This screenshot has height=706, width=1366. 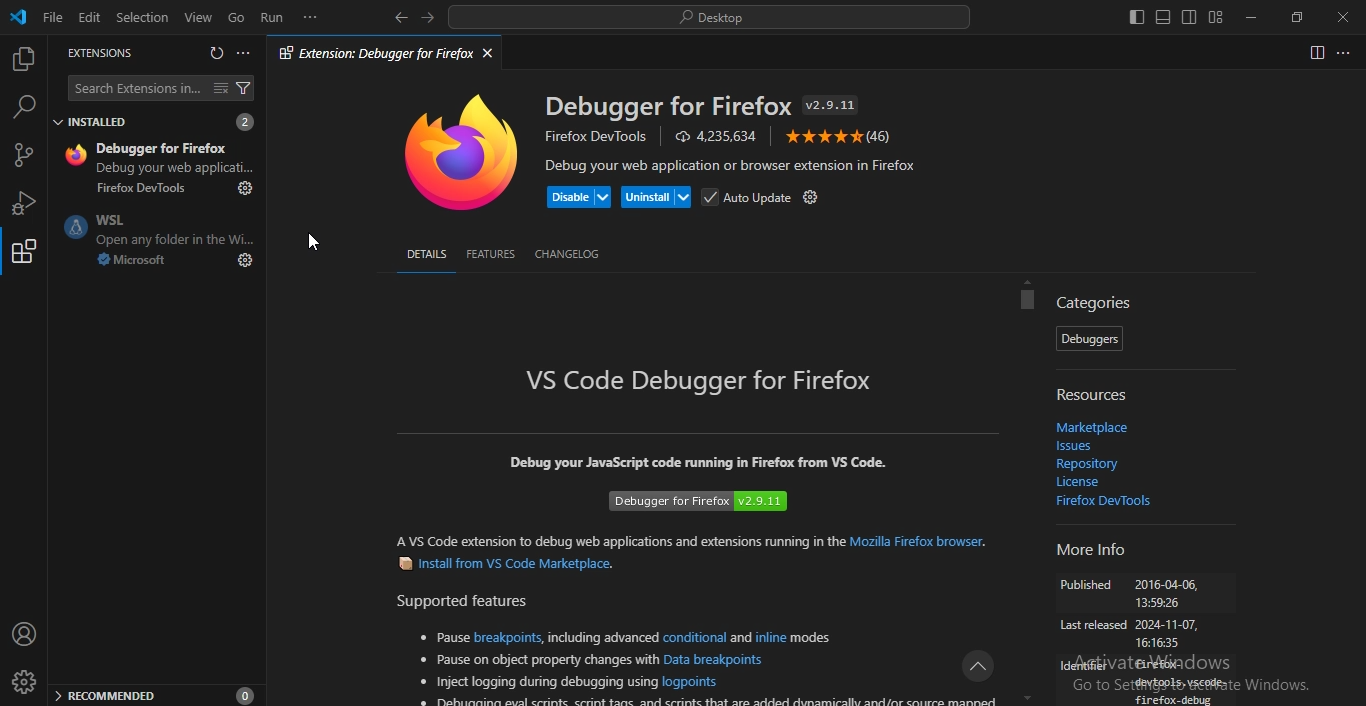 I want to click on scrollbar, so click(x=1029, y=302).